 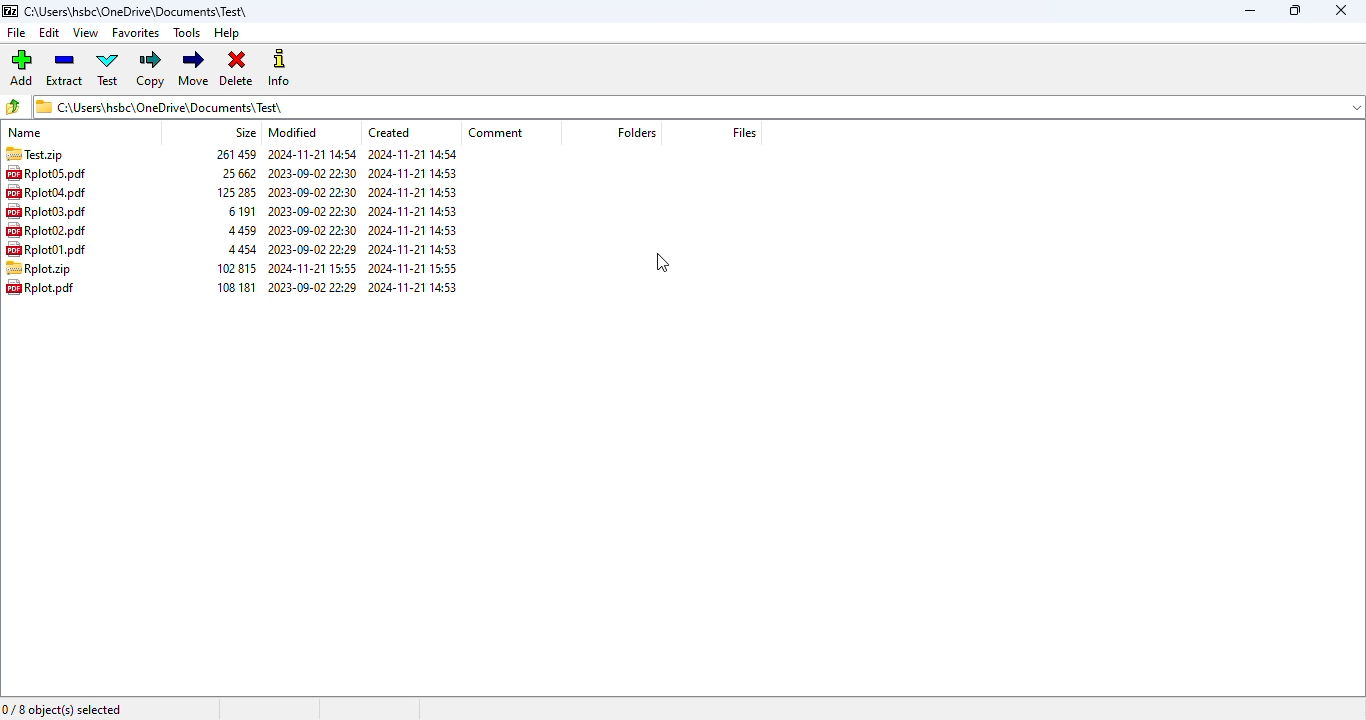 What do you see at coordinates (108, 68) in the screenshot?
I see `test` at bounding box center [108, 68].